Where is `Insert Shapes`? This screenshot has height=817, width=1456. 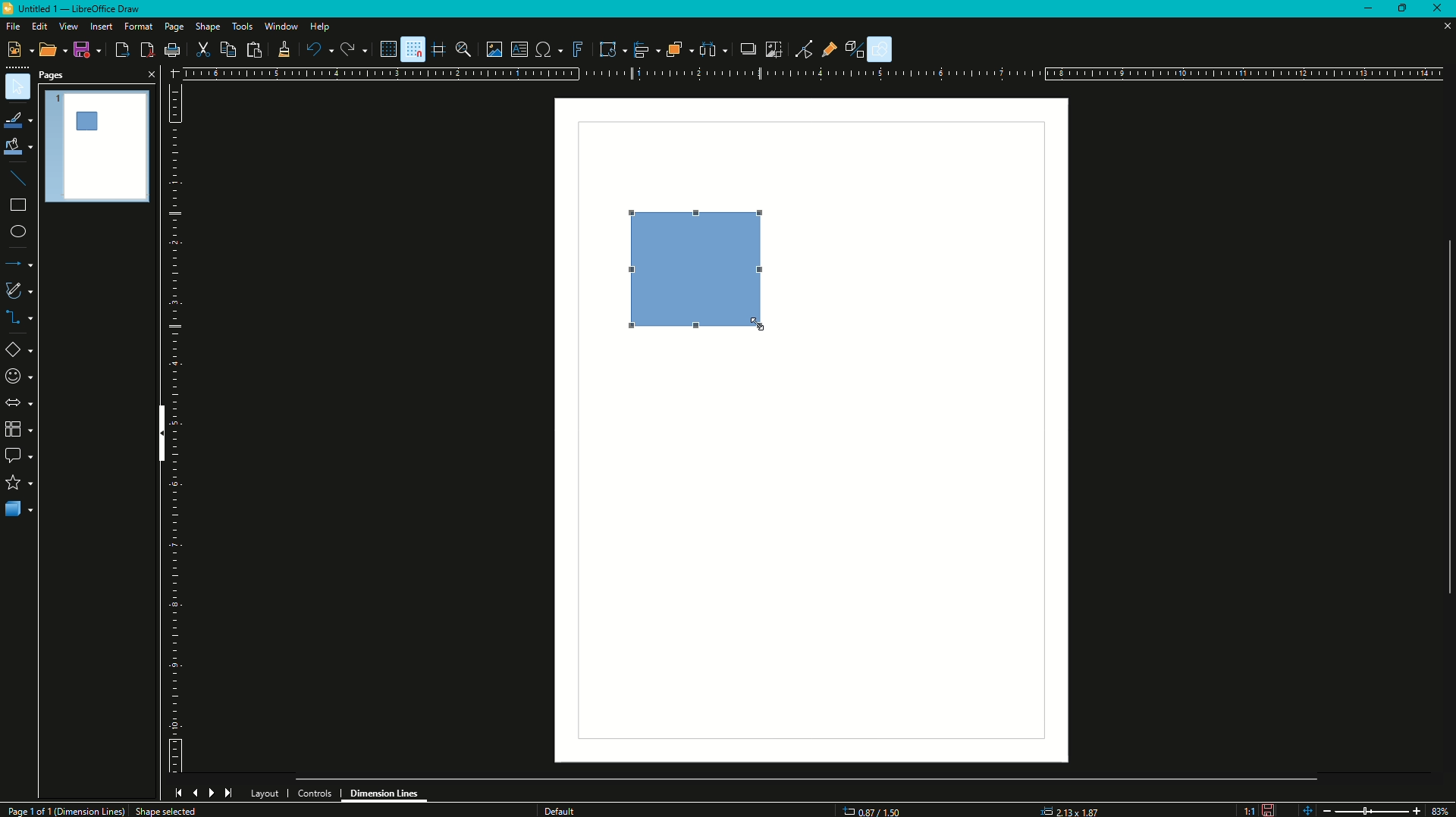 Insert Shapes is located at coordinates (20, 352).